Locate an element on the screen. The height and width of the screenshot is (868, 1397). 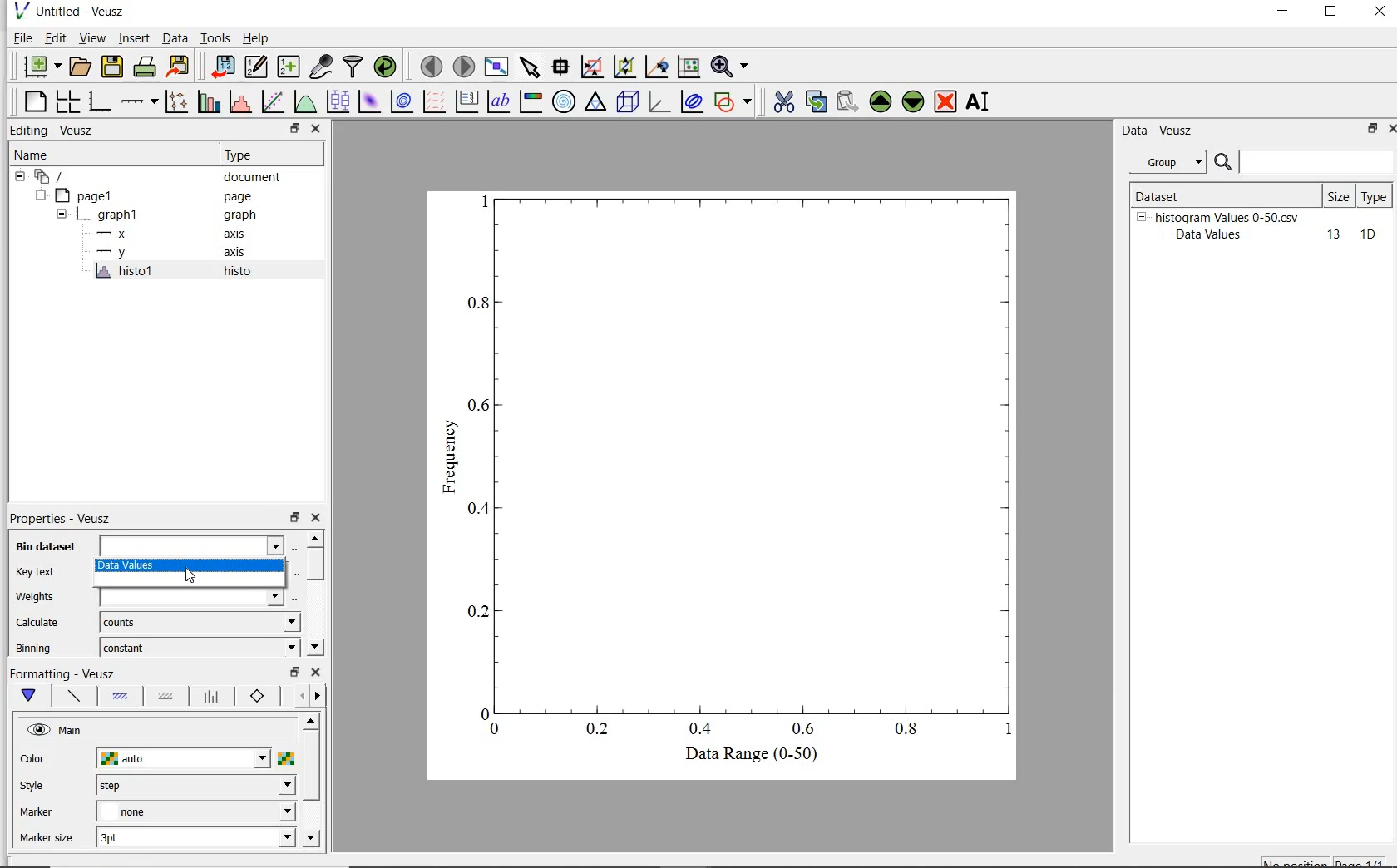
close is located at coordinates (1389, 131).